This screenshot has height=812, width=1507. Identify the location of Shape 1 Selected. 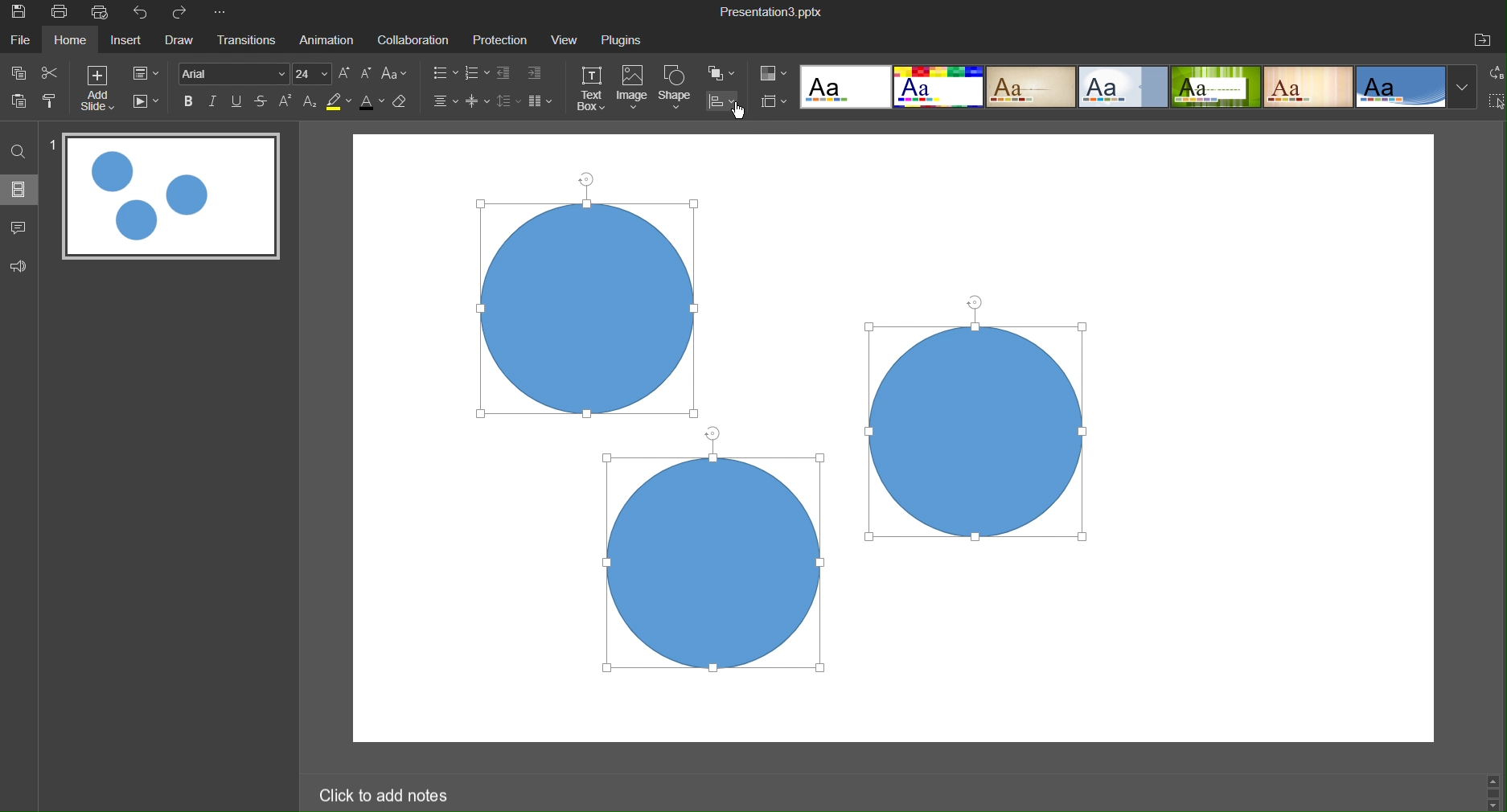
(588, 308).